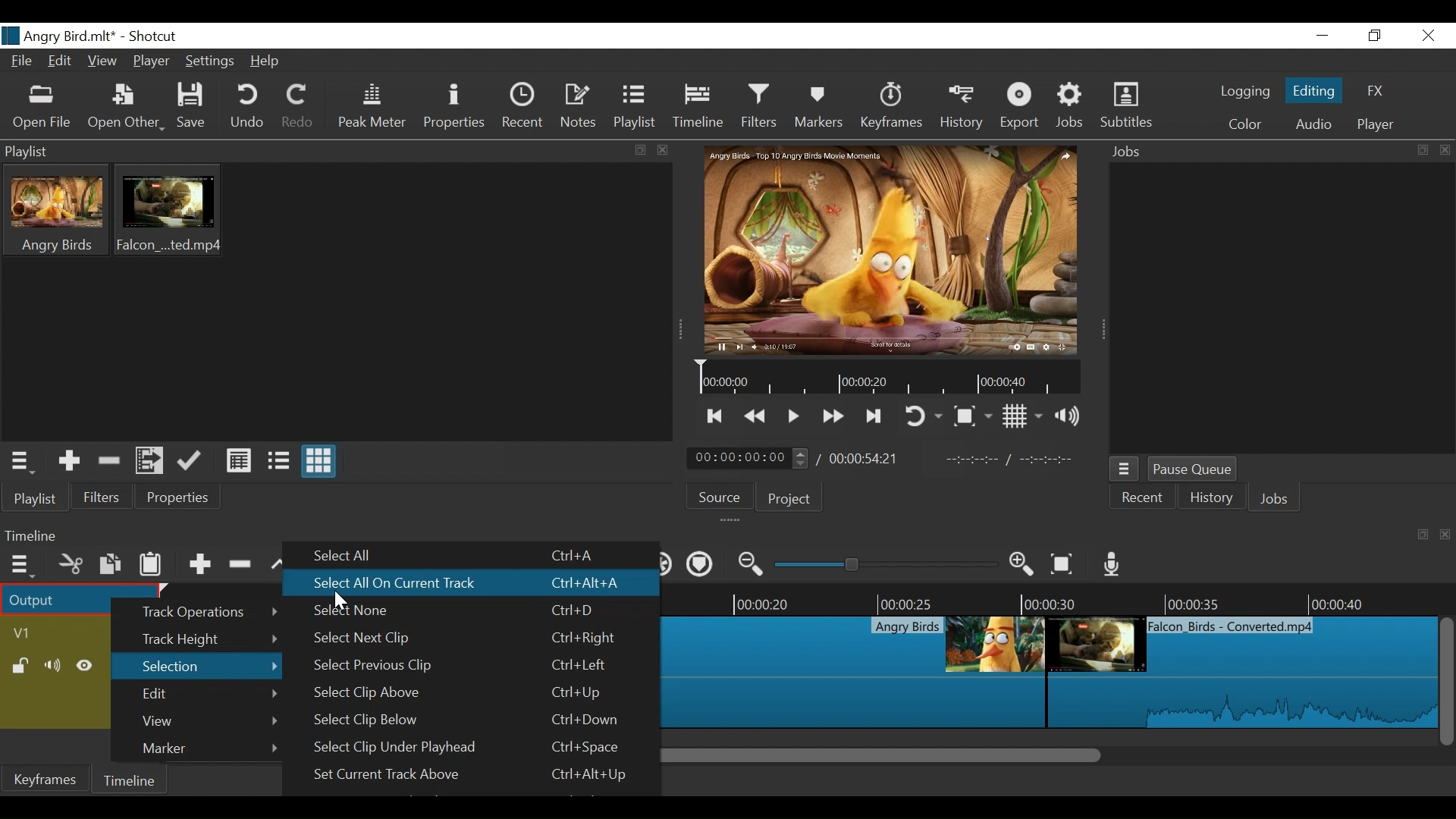  Describe the element at coordinates (70, 564) in the screenshot. I see `Cut` at that location.